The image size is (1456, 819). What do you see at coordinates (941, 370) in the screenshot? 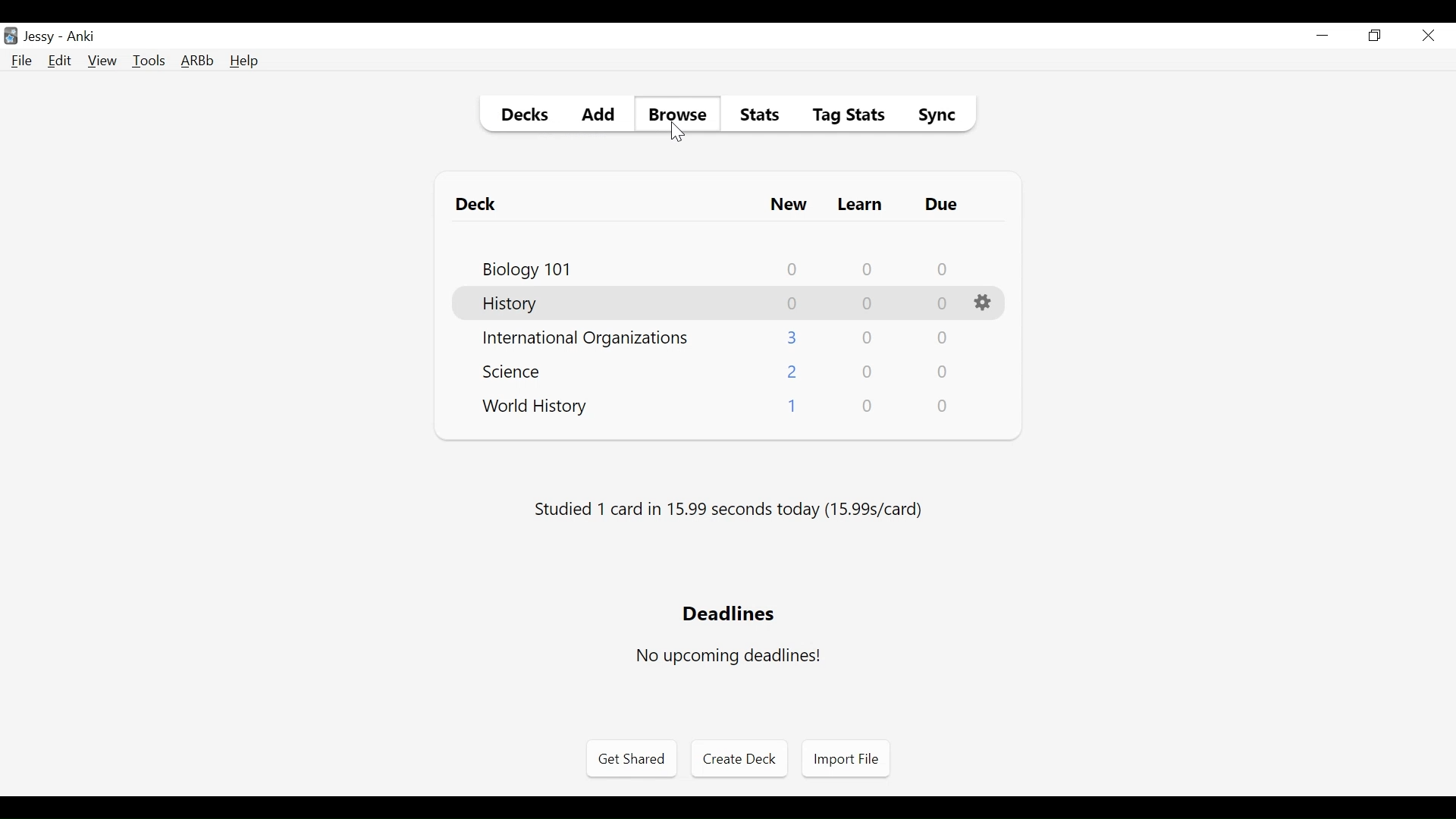
I see `Due Card Count` at bounding box center [941, 370].